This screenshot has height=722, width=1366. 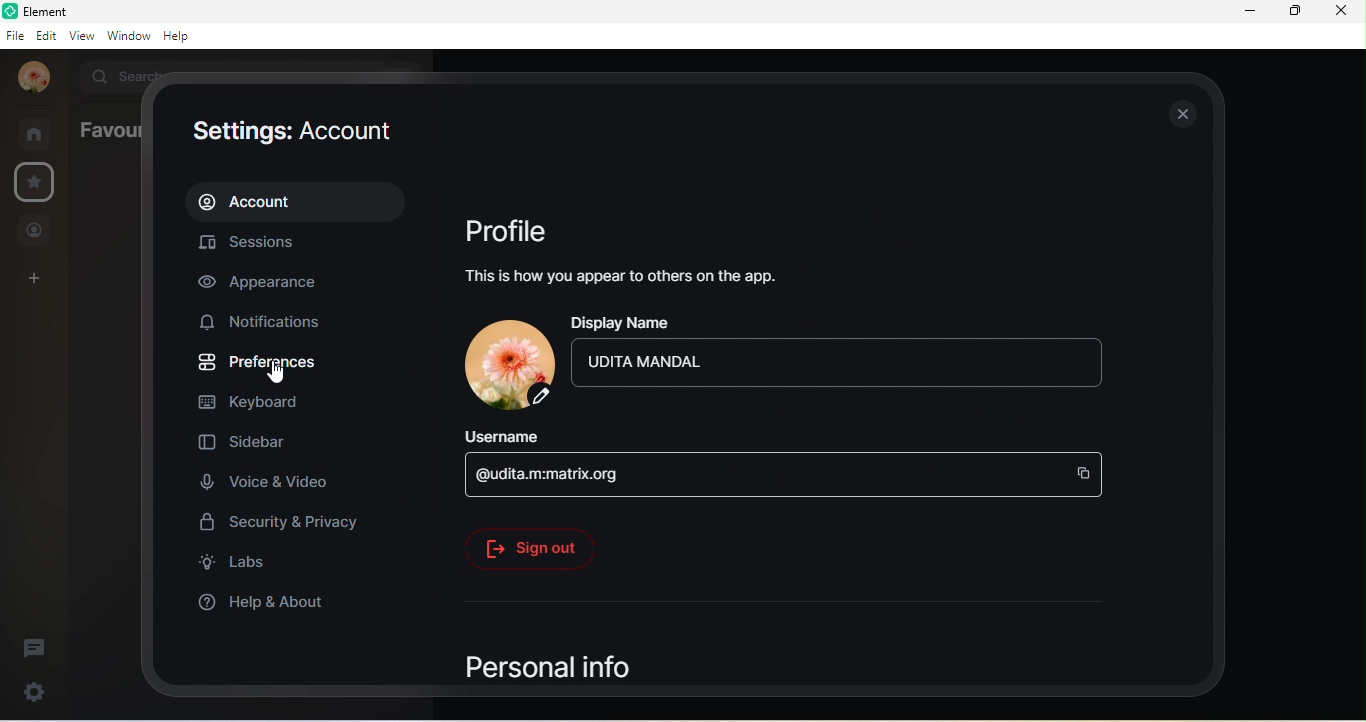 I want to click on security and privacy, so click(x=282, y=522).